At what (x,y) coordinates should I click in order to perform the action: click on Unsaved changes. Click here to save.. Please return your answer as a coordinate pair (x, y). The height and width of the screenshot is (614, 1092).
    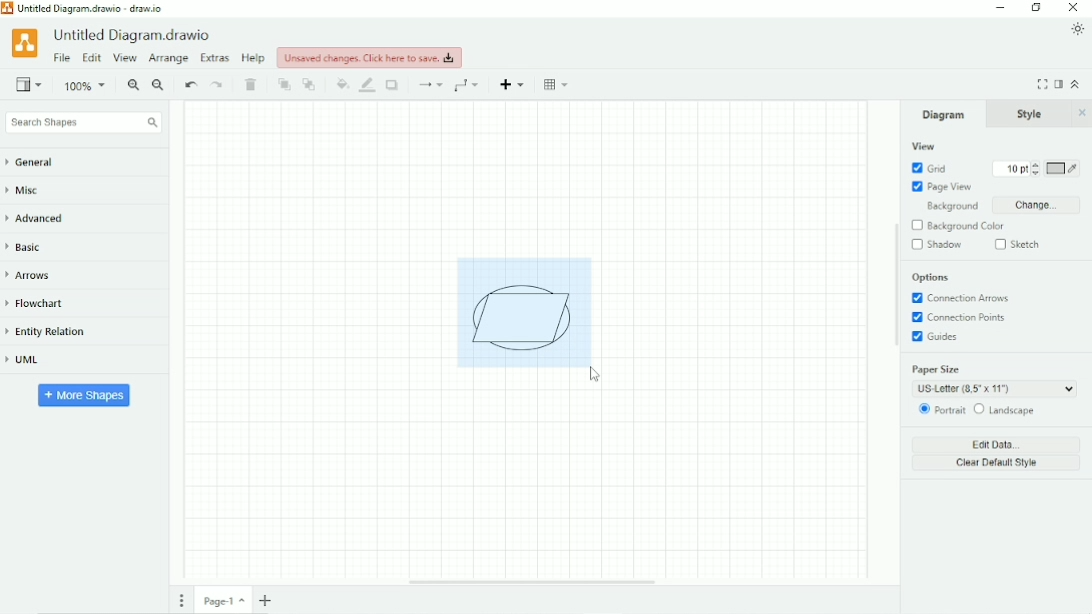
    Looking at the image, I should click on (370, 57).